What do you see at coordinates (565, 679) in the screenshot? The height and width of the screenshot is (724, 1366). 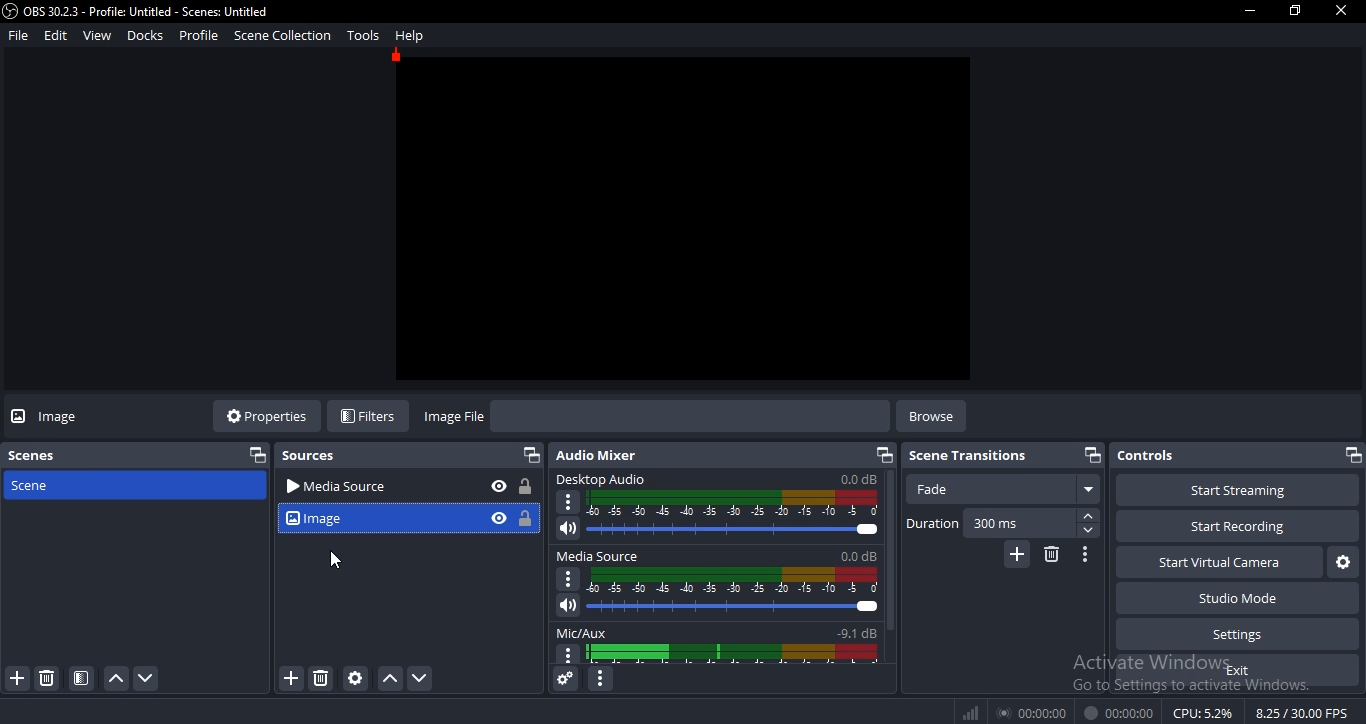 I see `audio mixer settings` at bounding box center [565, 679].